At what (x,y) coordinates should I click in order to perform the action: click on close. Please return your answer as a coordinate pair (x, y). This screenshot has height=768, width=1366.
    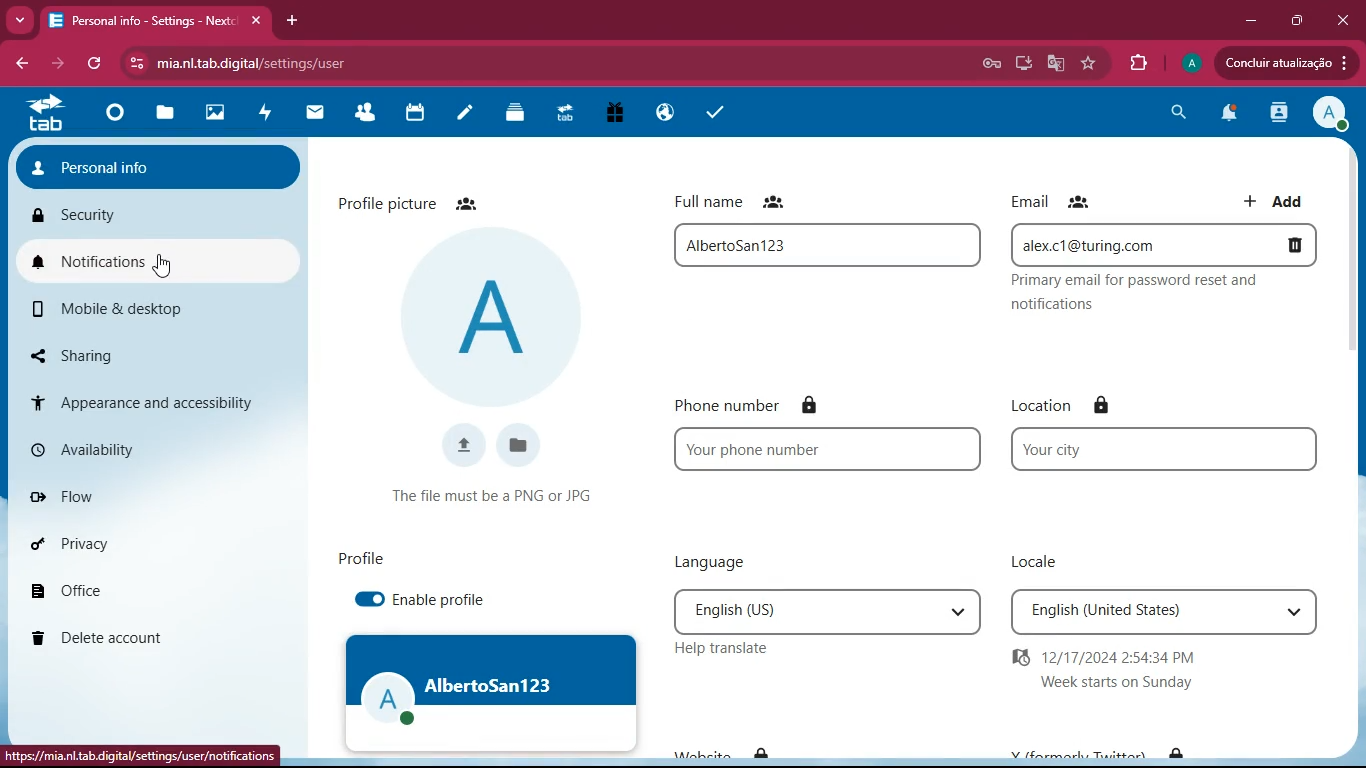
    Looking at the image, I should click on (1346, 18).